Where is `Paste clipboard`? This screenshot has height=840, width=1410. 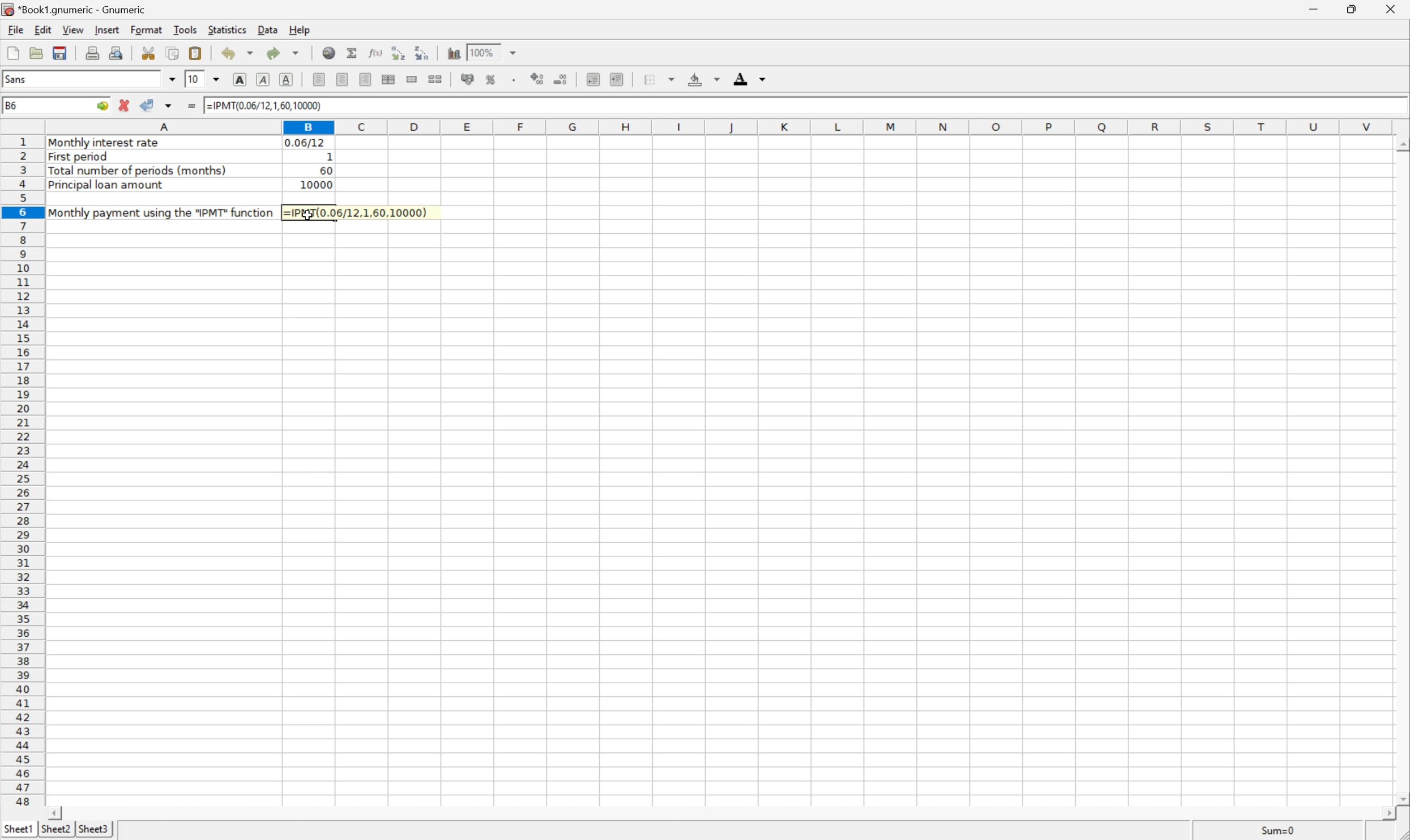
Paste clipboard is located at coordinates (195, 53).